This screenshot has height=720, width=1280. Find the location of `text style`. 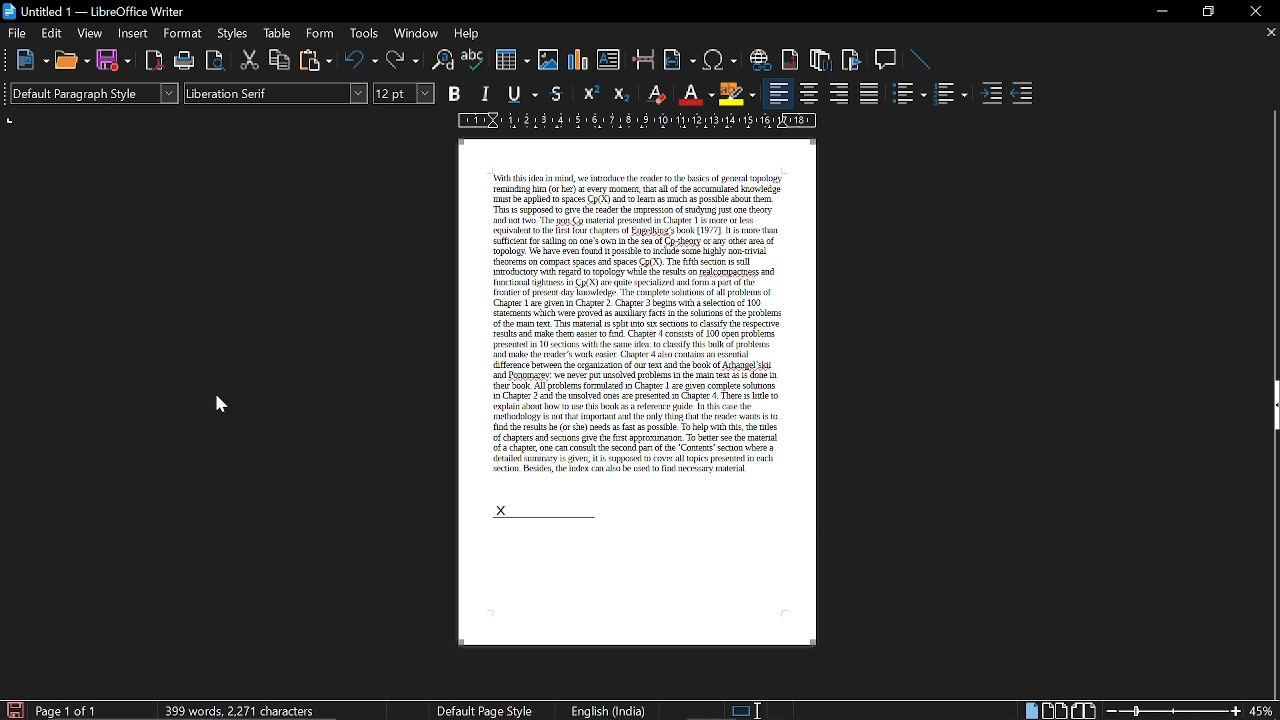

text style is located at coordinates (278, 93).